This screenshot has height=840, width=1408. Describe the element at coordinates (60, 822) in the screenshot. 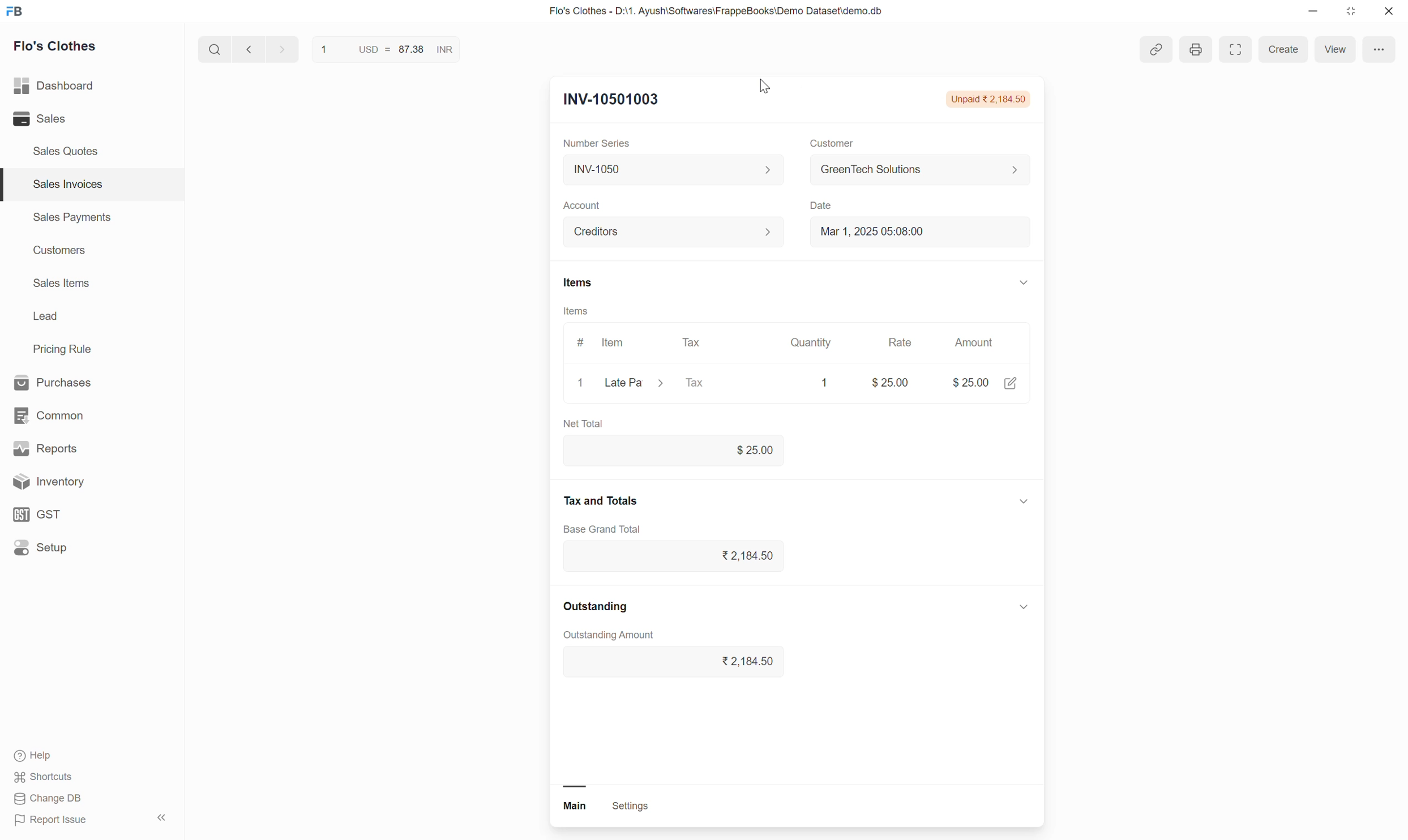

I see `Report Issue ` at that location.